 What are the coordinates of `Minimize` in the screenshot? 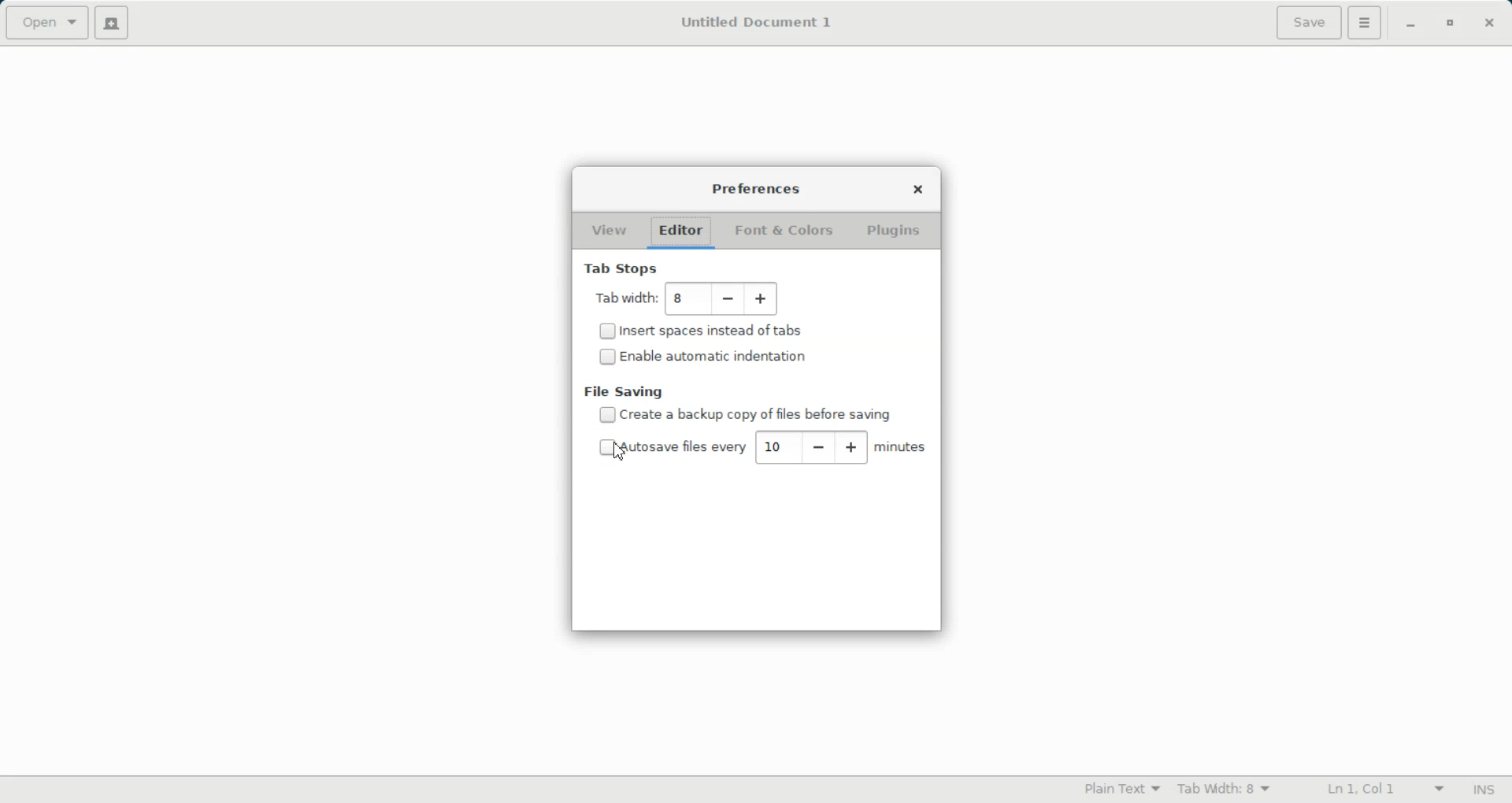 It's located at (1410, 24).